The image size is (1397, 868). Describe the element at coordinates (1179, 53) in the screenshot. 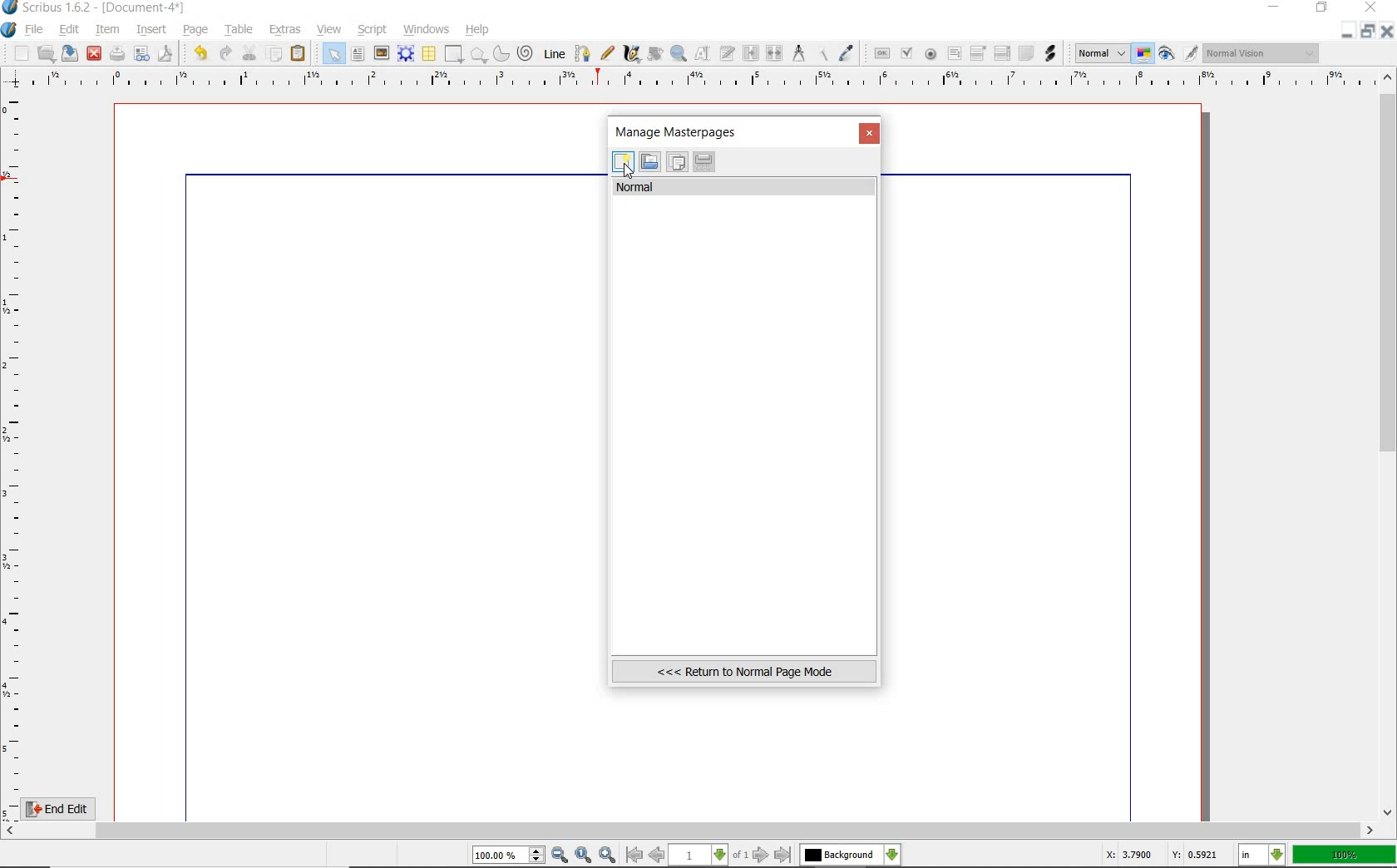

I see `preview mode` at that location.